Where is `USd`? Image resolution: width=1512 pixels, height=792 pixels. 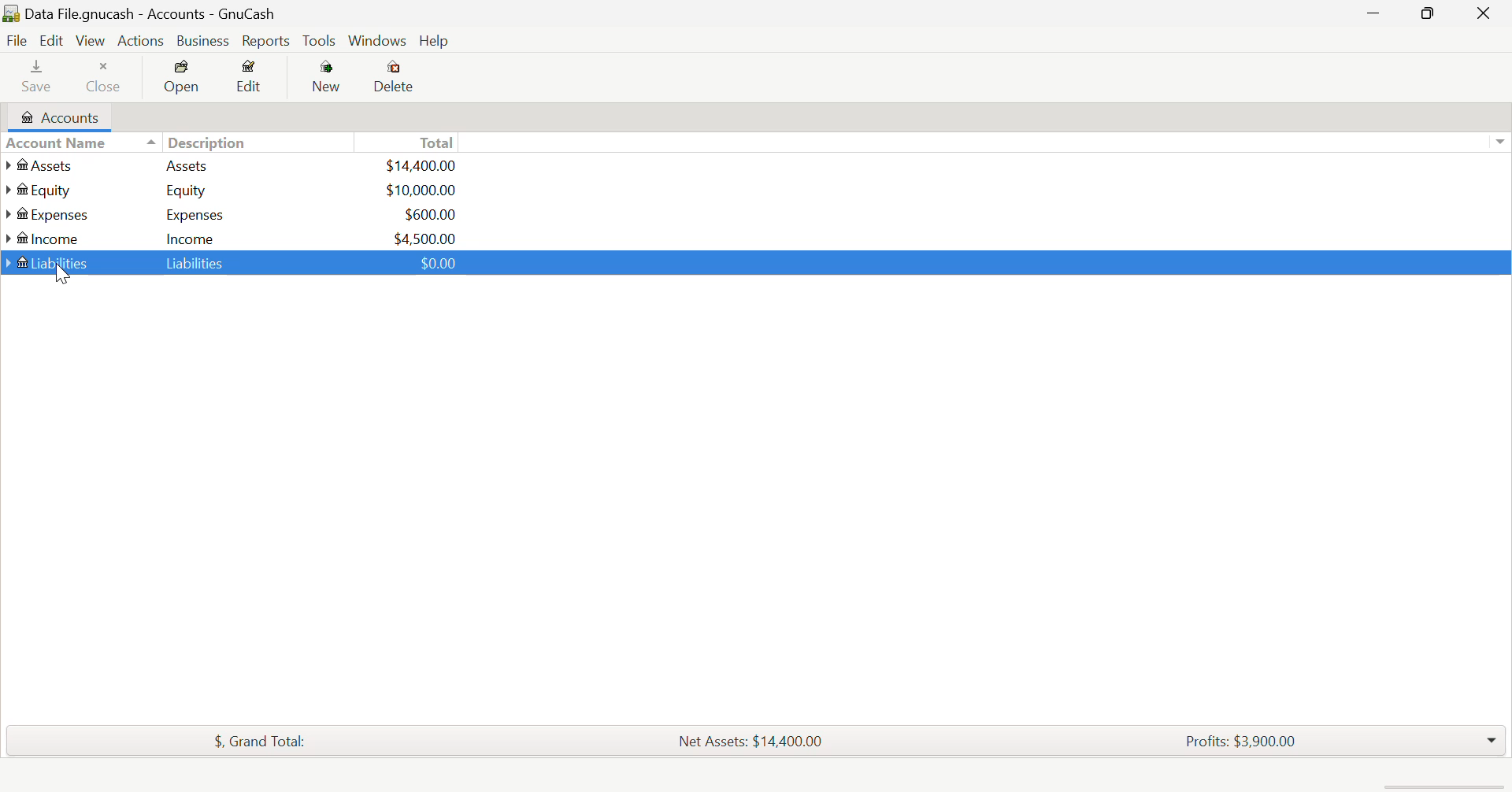
USd is located at coordinates (420, 164).